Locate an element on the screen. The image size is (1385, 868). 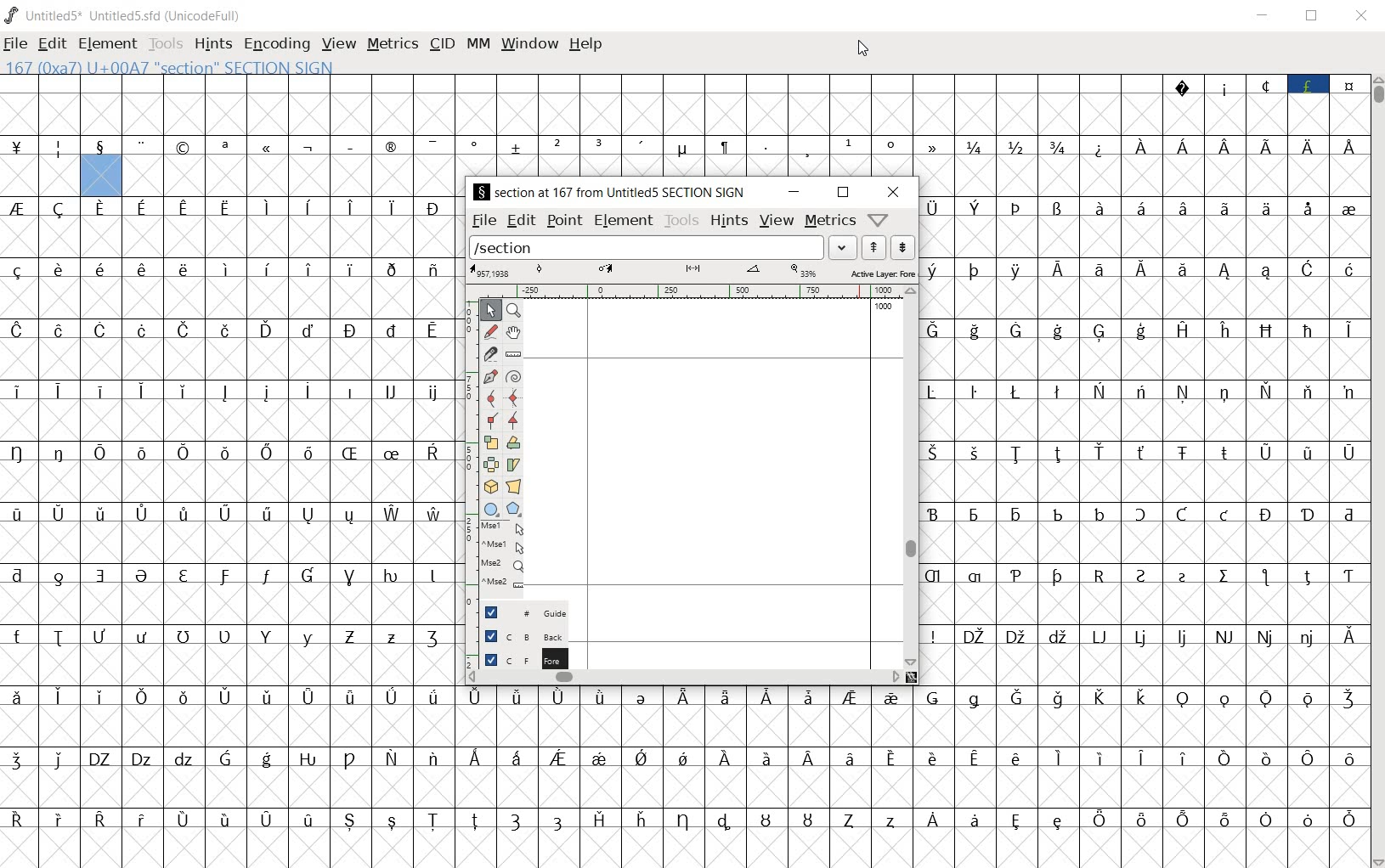
perform a perspective transformation on the selection is located at coordinates (514, 485).